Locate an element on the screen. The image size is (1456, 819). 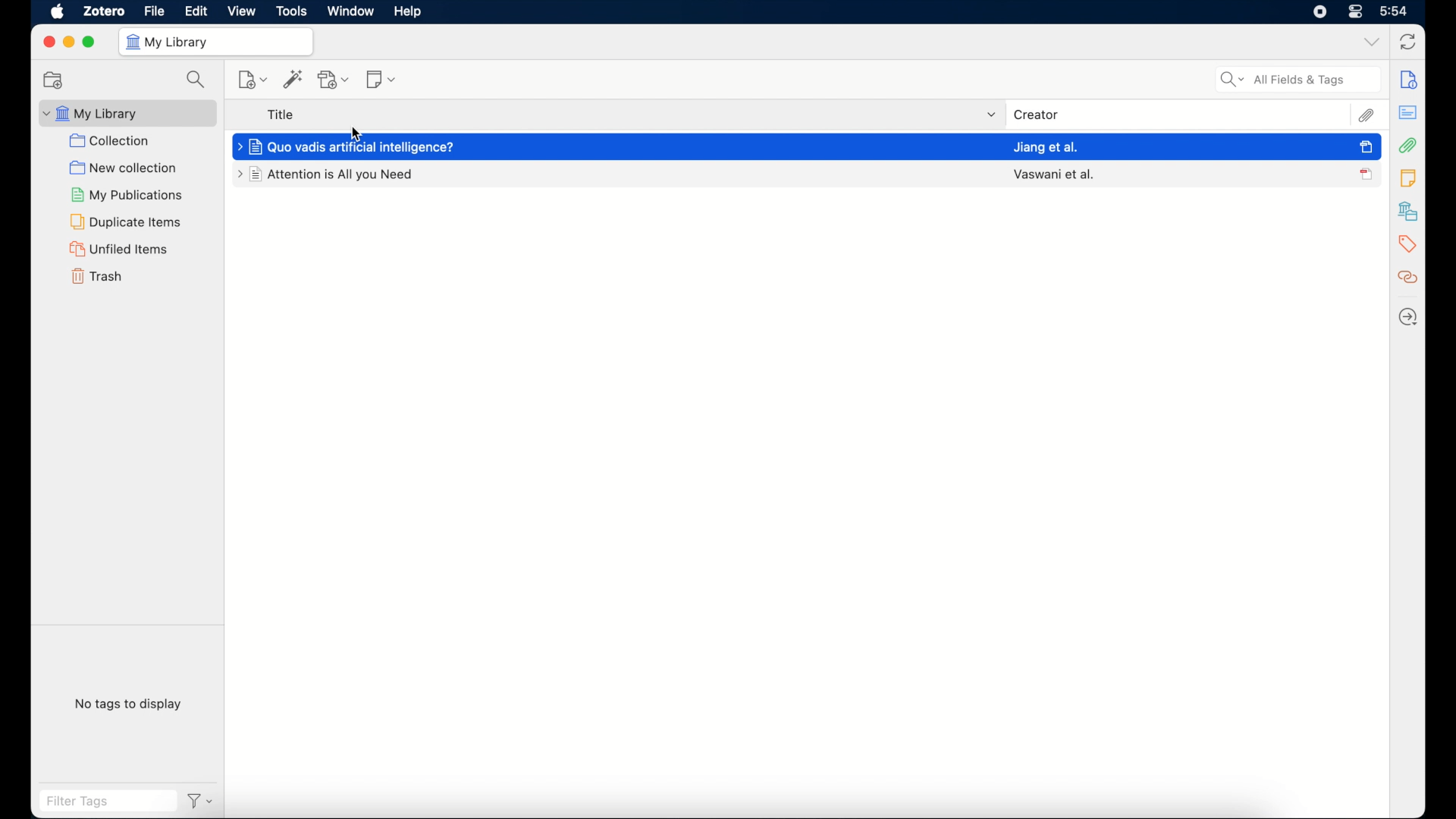
abstract is located at coordinates (1408, 112).